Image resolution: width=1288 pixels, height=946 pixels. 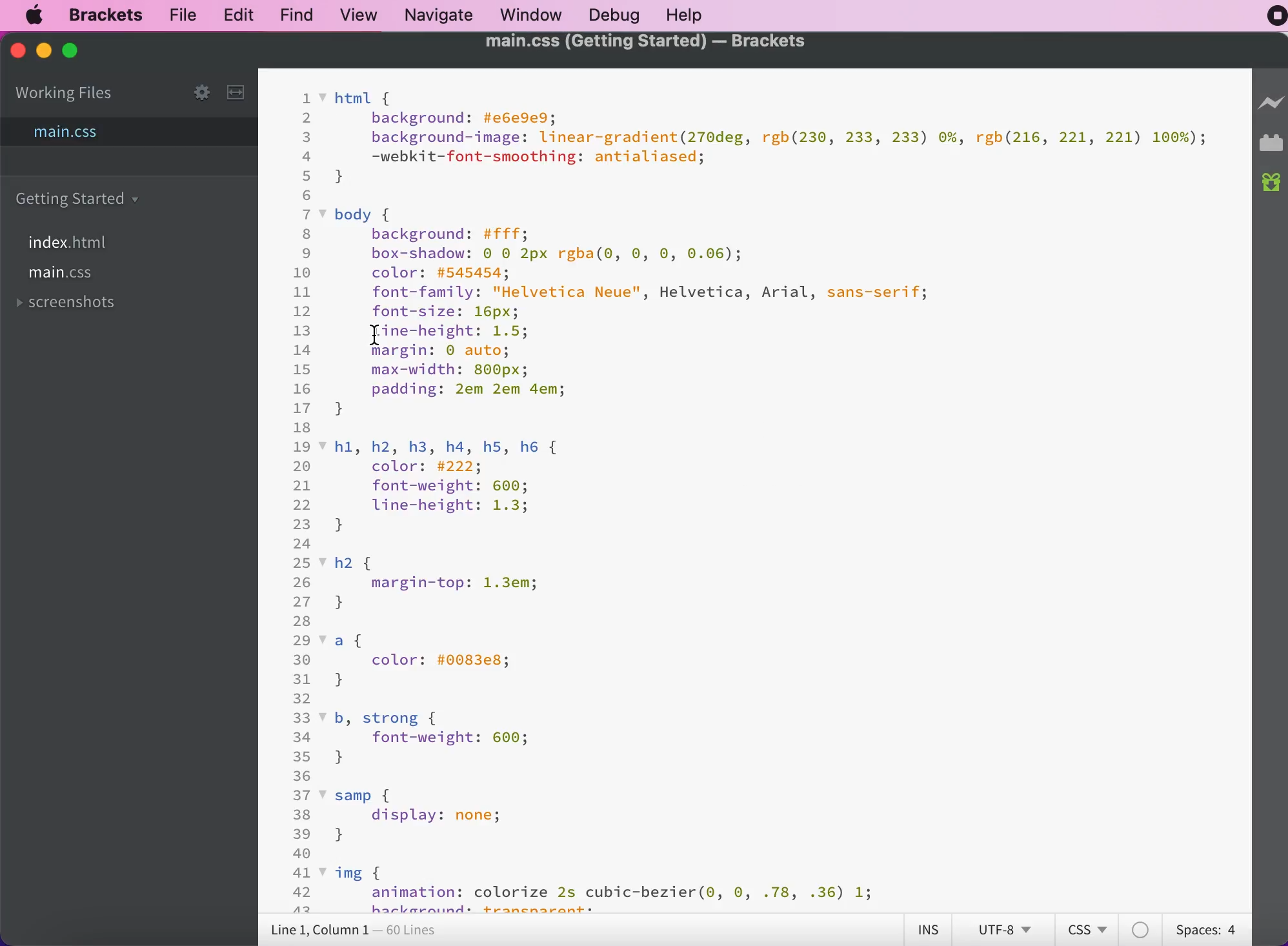 I want to click on utf-8, so click(x=1004, y=929).